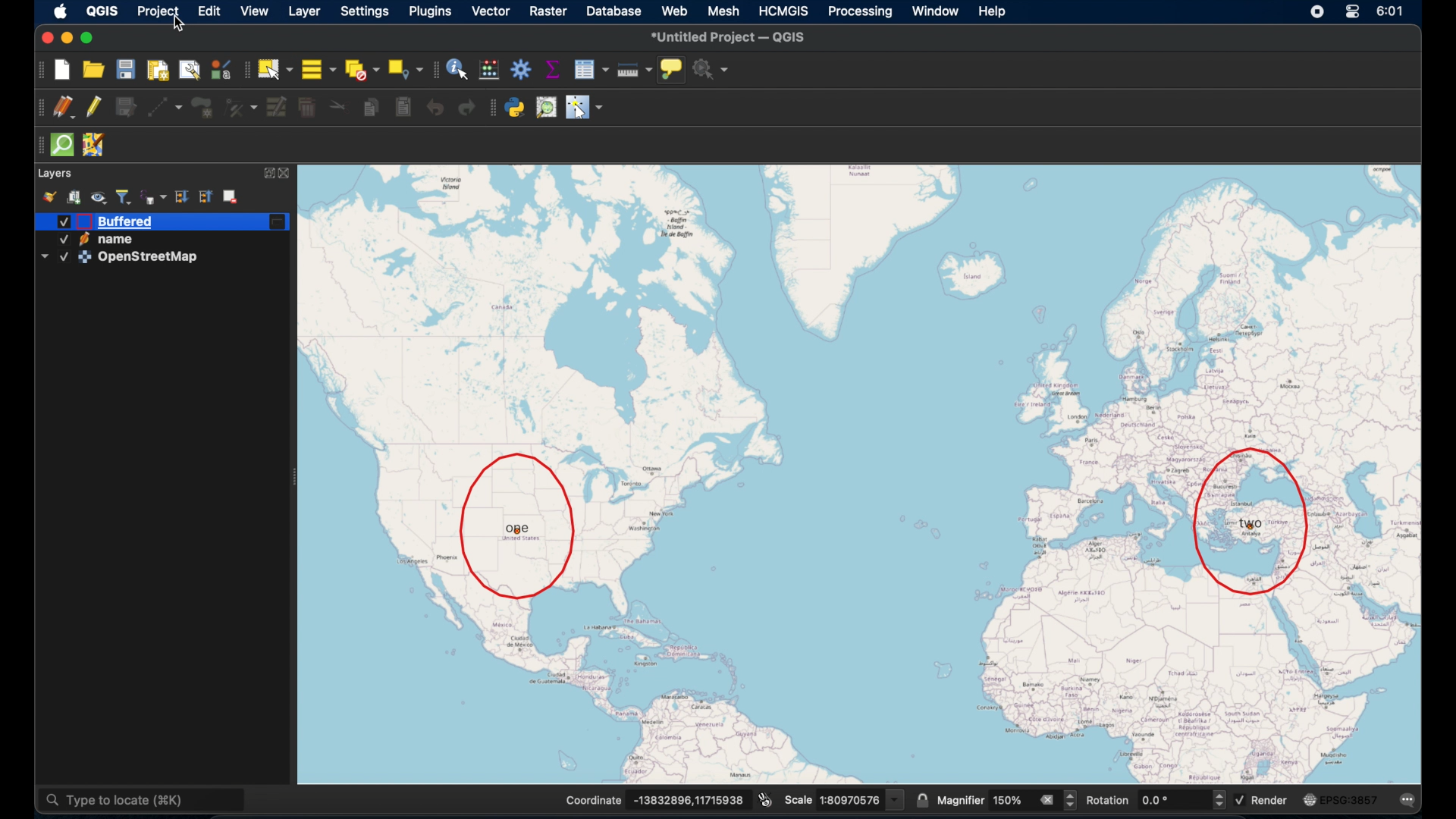 This screenshot has width=1456, height=819. I want to click on close, so click(288, 174).